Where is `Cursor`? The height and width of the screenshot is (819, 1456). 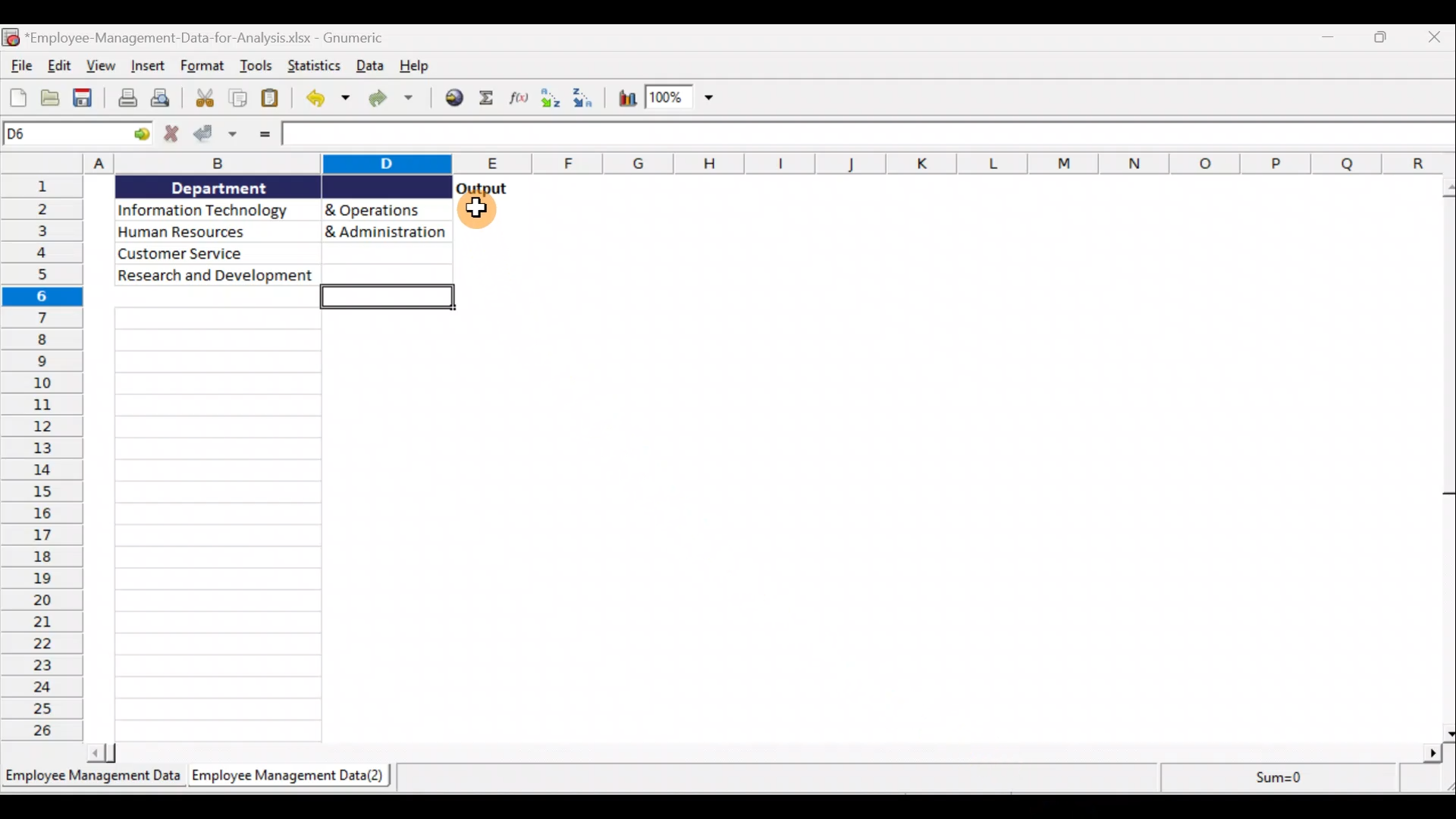
Cursor is located at coordinates (480, 212).